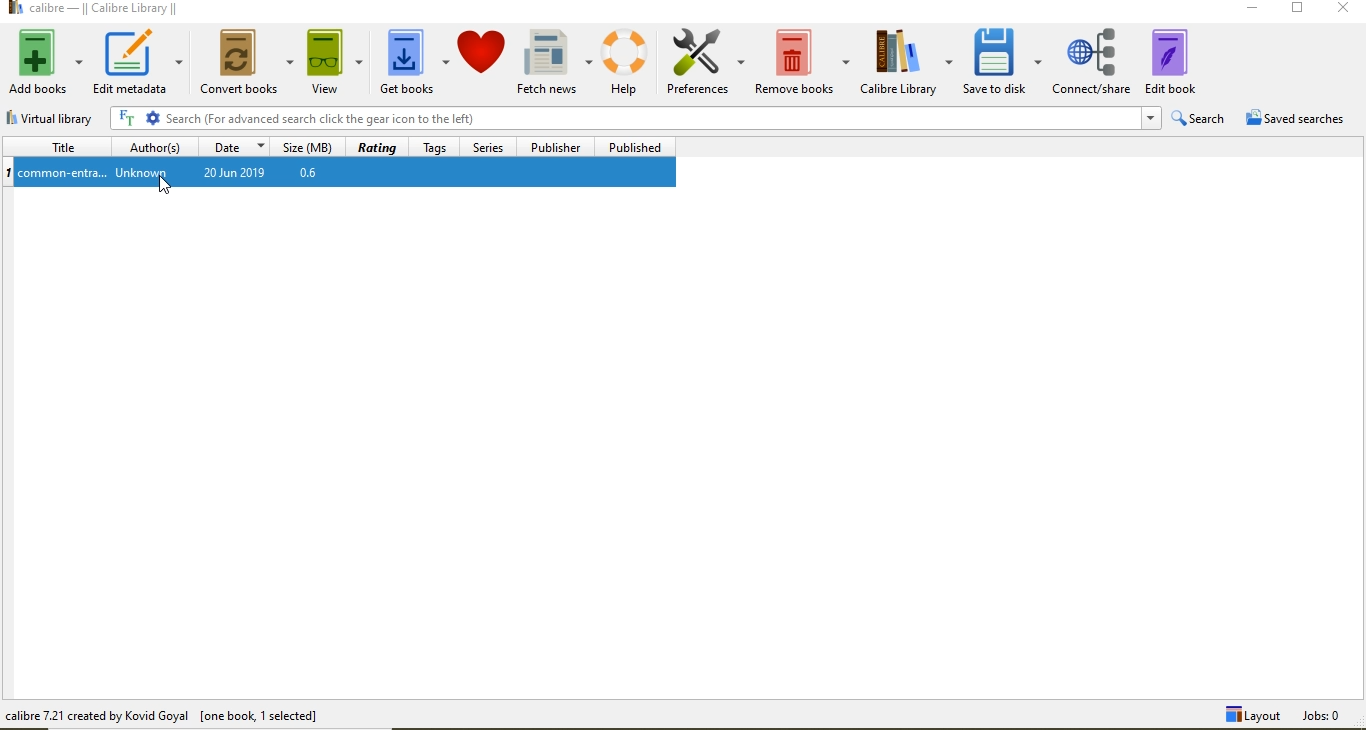 This screenshot has width=1366, height=730. I want to click on published, so click(634, 148).